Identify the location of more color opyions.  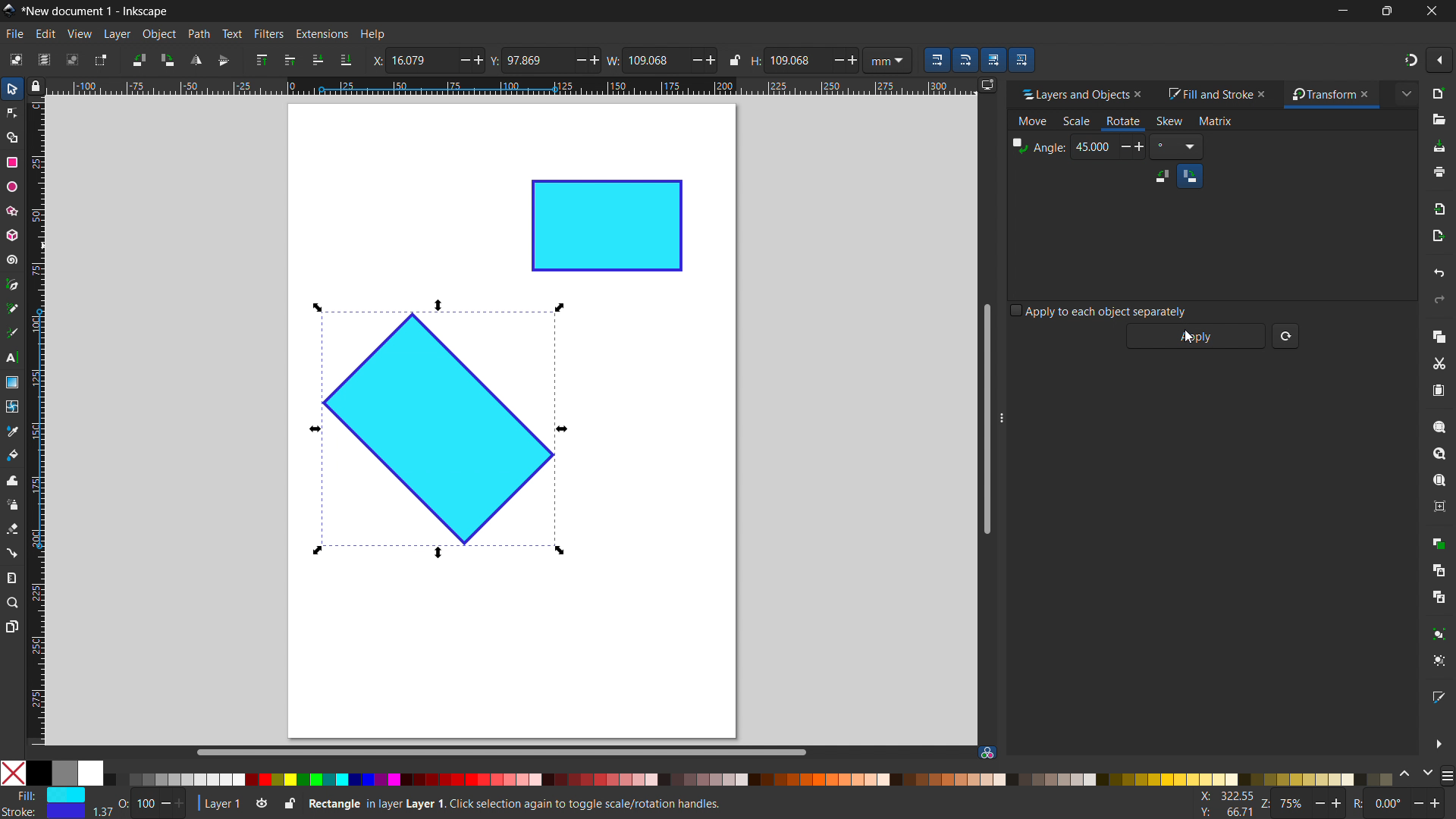
(1447, 774).